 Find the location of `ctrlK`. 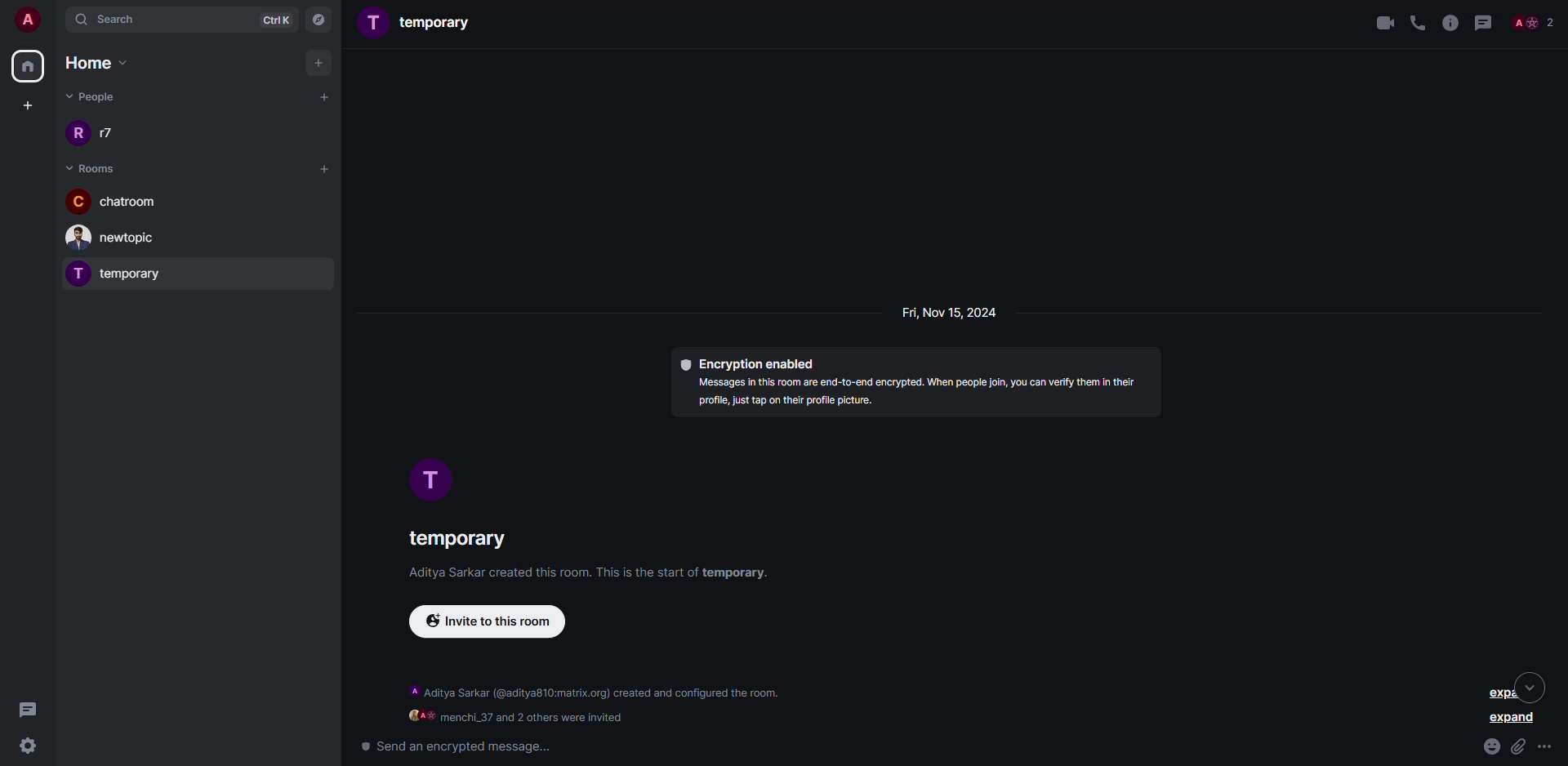

ctrlK is located at coordinates (275, 19).